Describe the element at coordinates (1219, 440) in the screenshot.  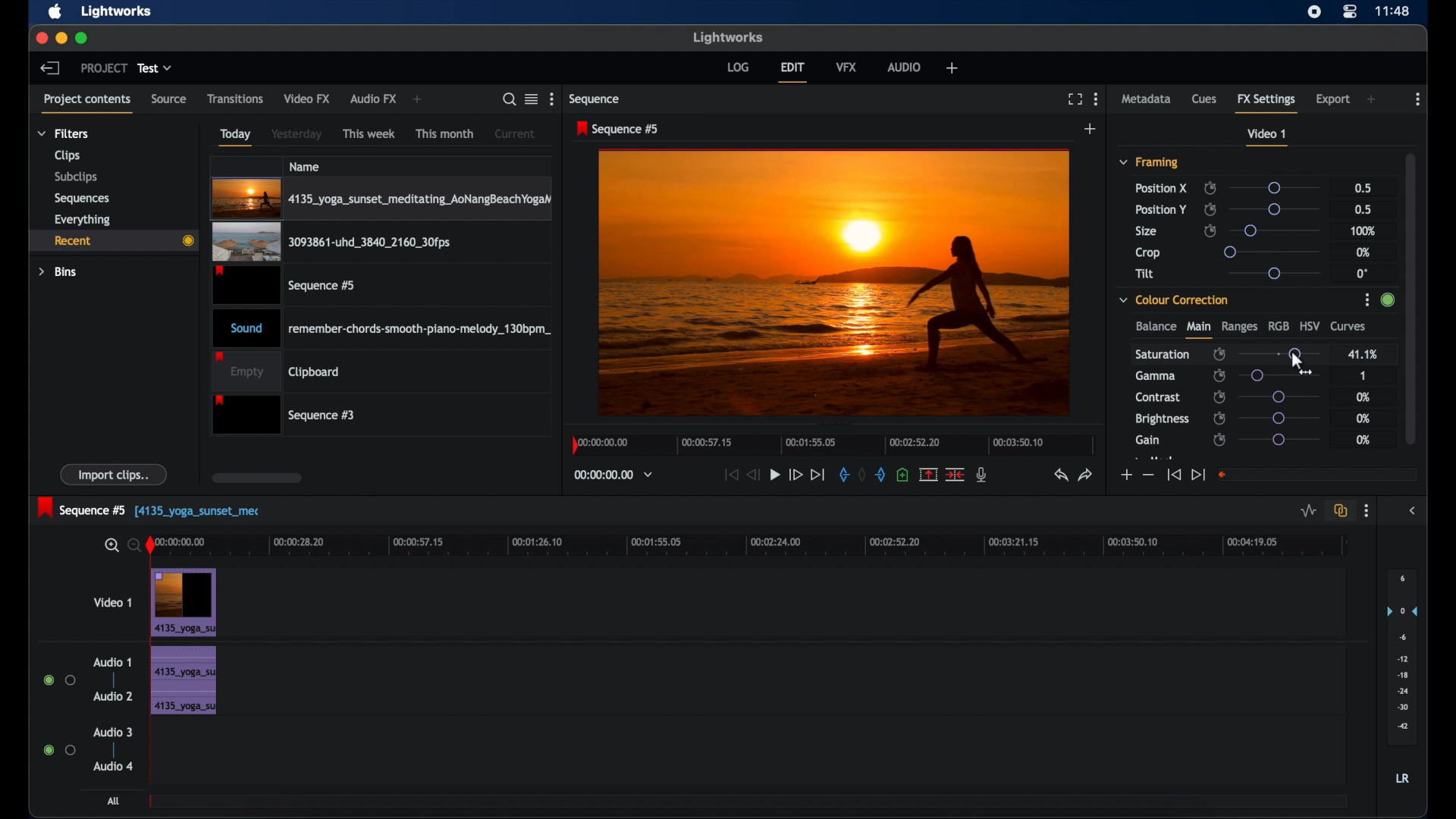
I see `enable/disable keyframes` at that location.